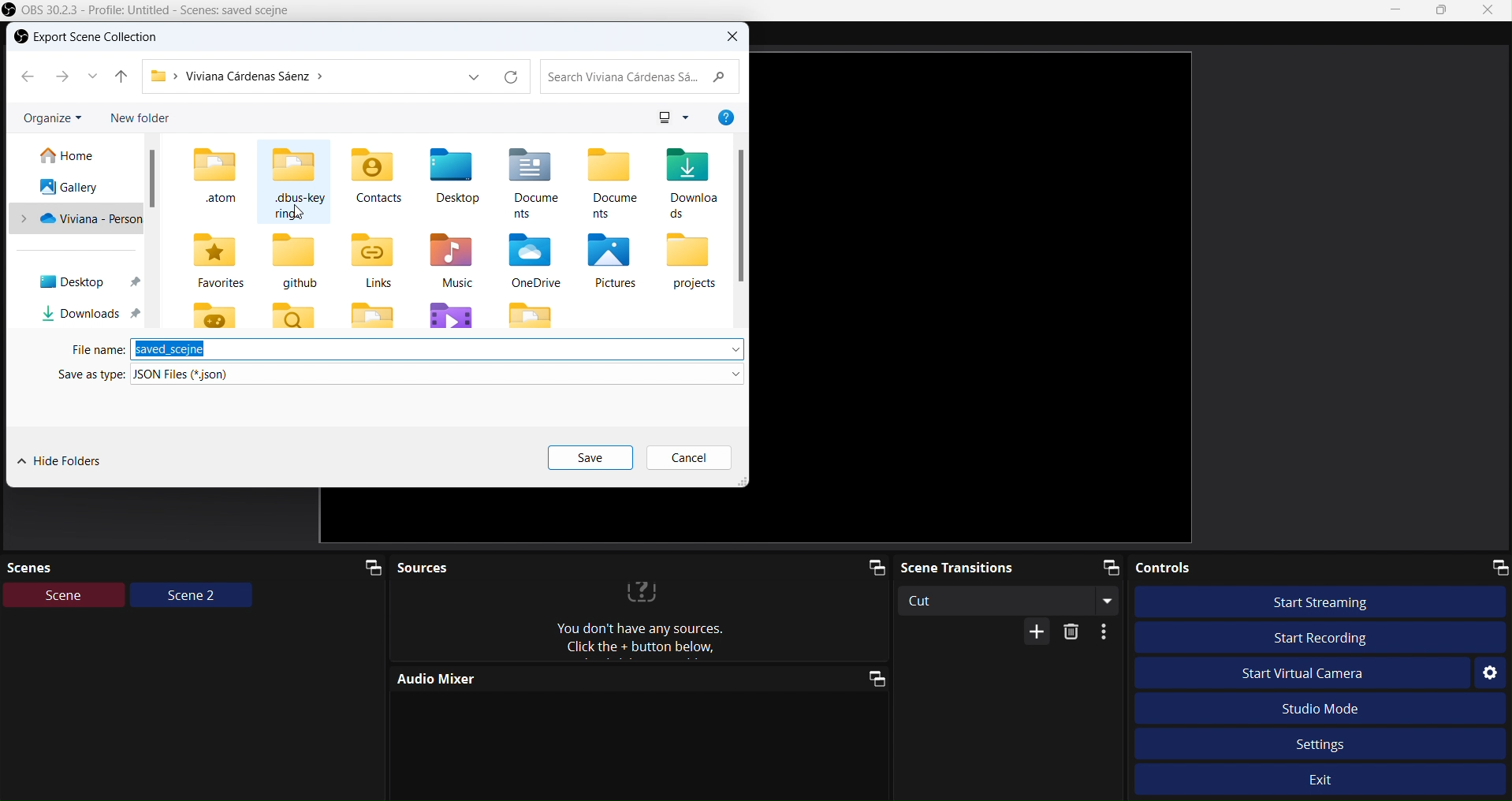  What do you see at coordinates (67, 462) in the screenshot?
I see `Hide folders` at bounding box center [67, 462].